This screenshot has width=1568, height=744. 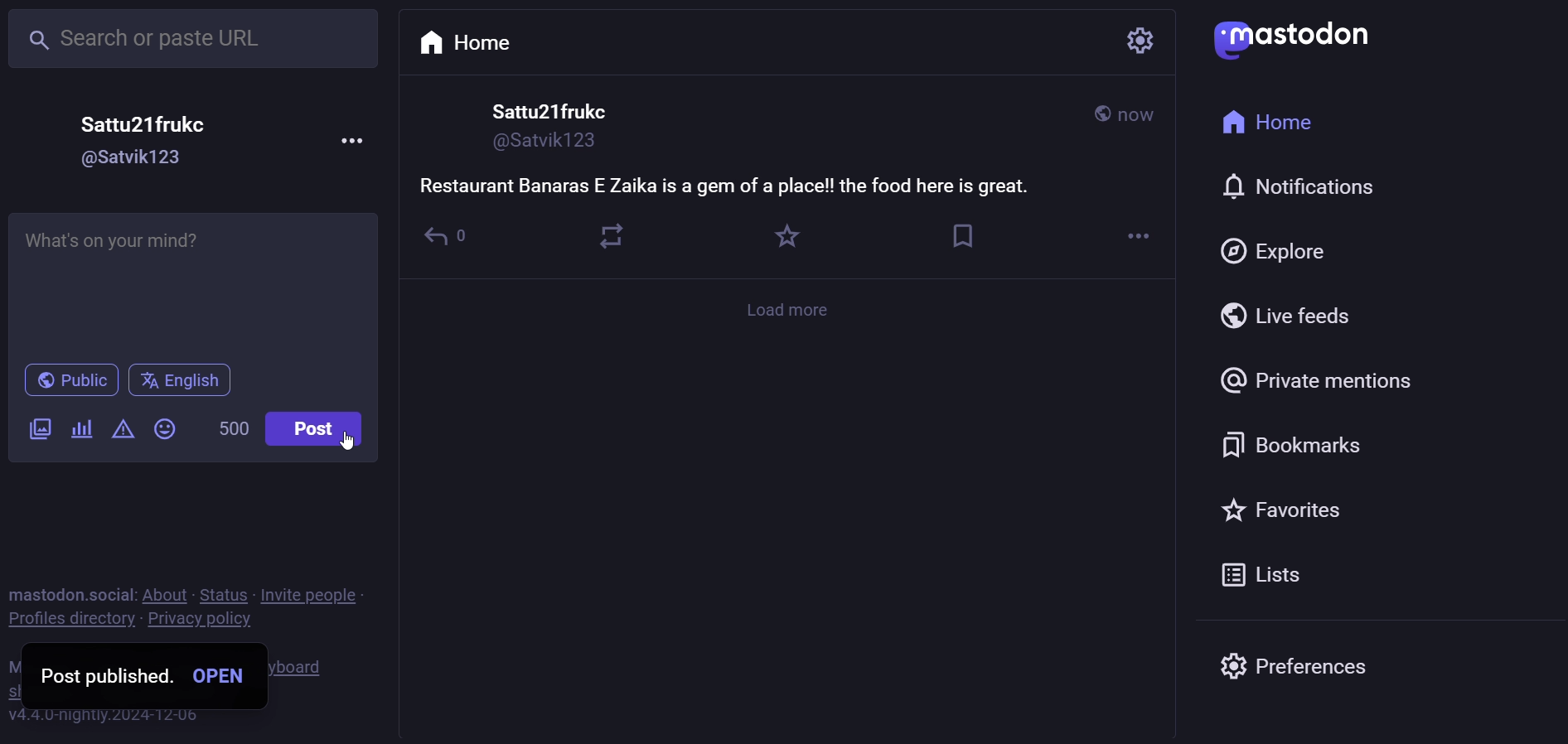 What do you see at coordinates (186, 250) in the screenshot?
I see `What's on your mind?` at bounding box center [186, 250].